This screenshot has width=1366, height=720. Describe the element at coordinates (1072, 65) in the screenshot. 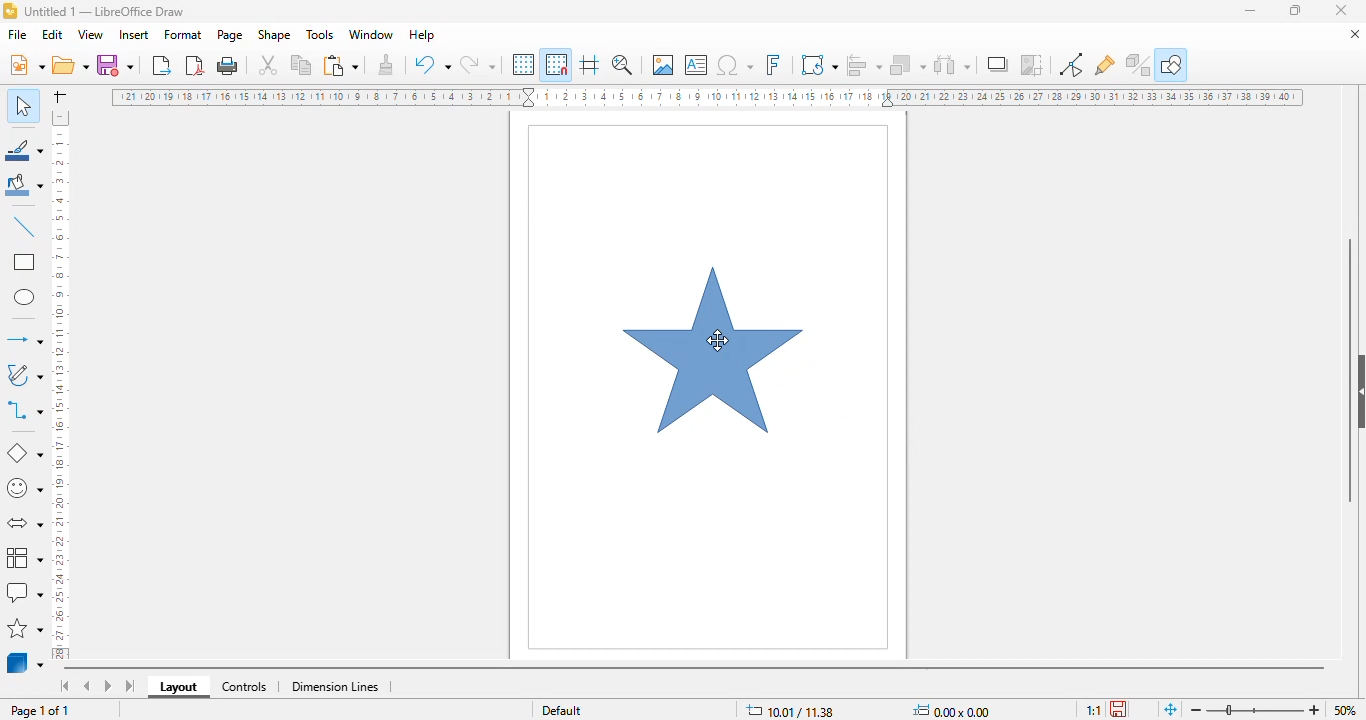

I see `toggle point edit mode` at that location.